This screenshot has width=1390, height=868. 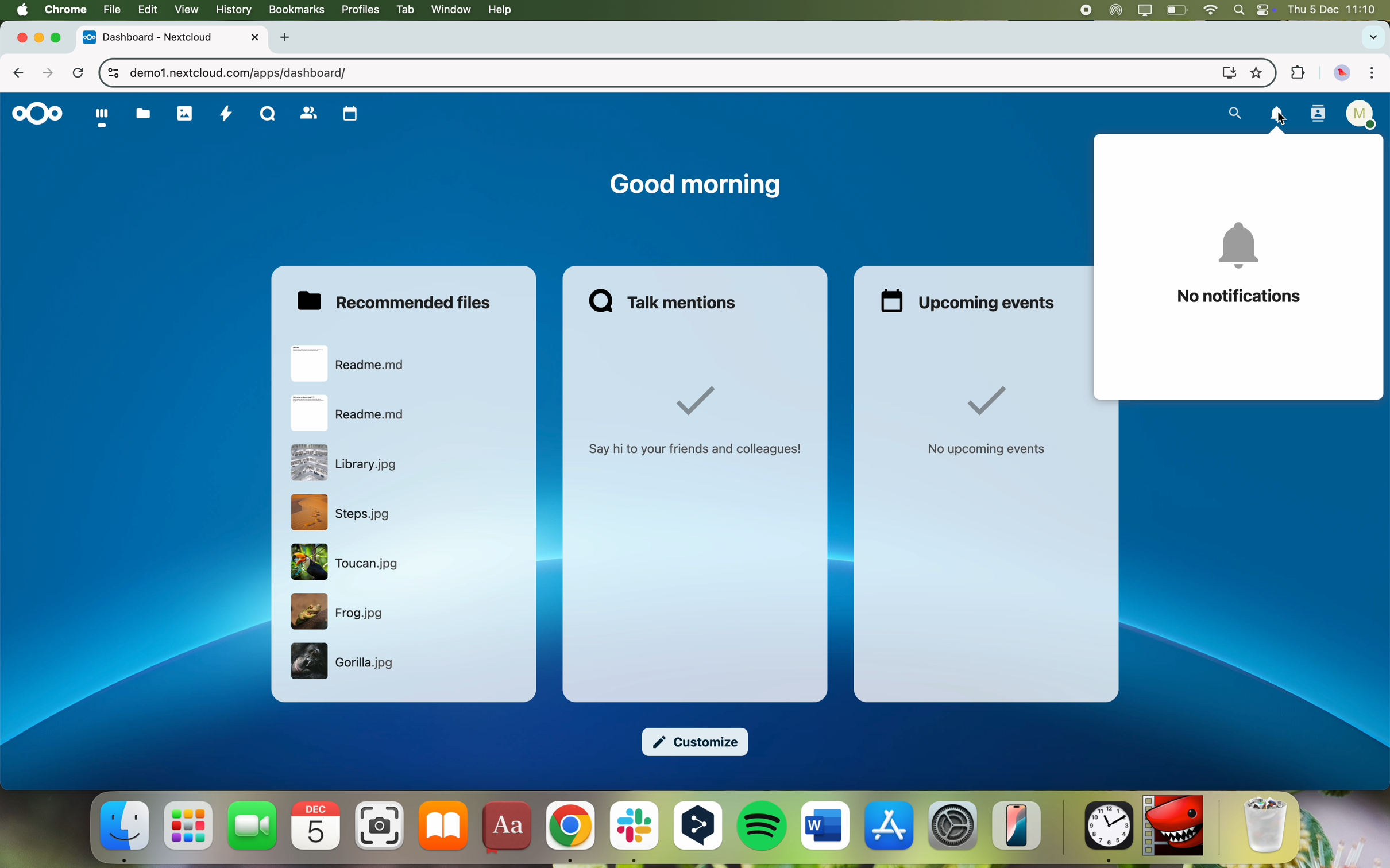 What do you see at coordinates (341, 613) in the screenshot?
I see `file` at bounding box center [341, 613].